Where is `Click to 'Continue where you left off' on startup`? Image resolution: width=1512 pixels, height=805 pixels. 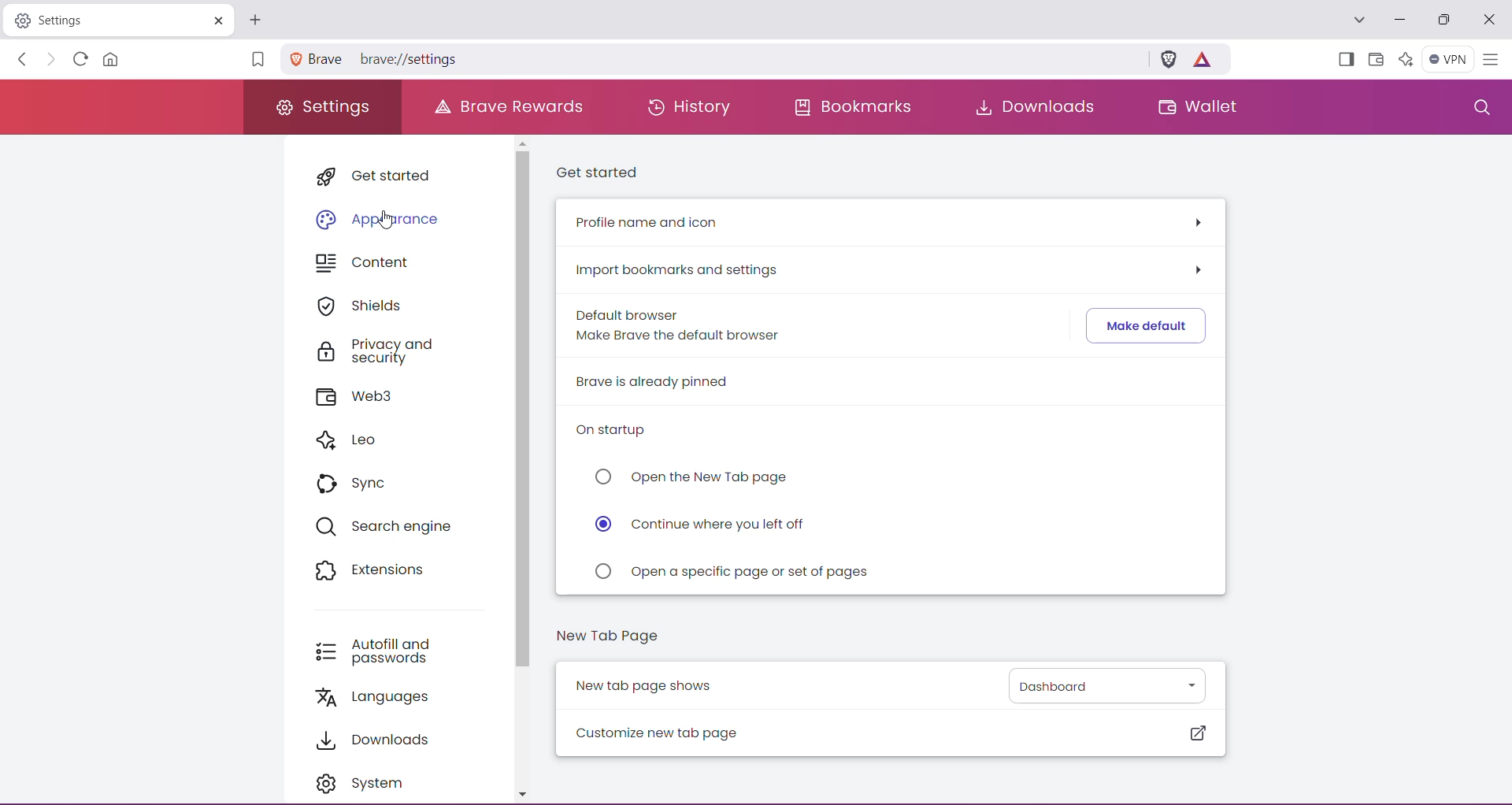
Click to 'Continue where you left off' on startup is located at coordinates (701, 525).